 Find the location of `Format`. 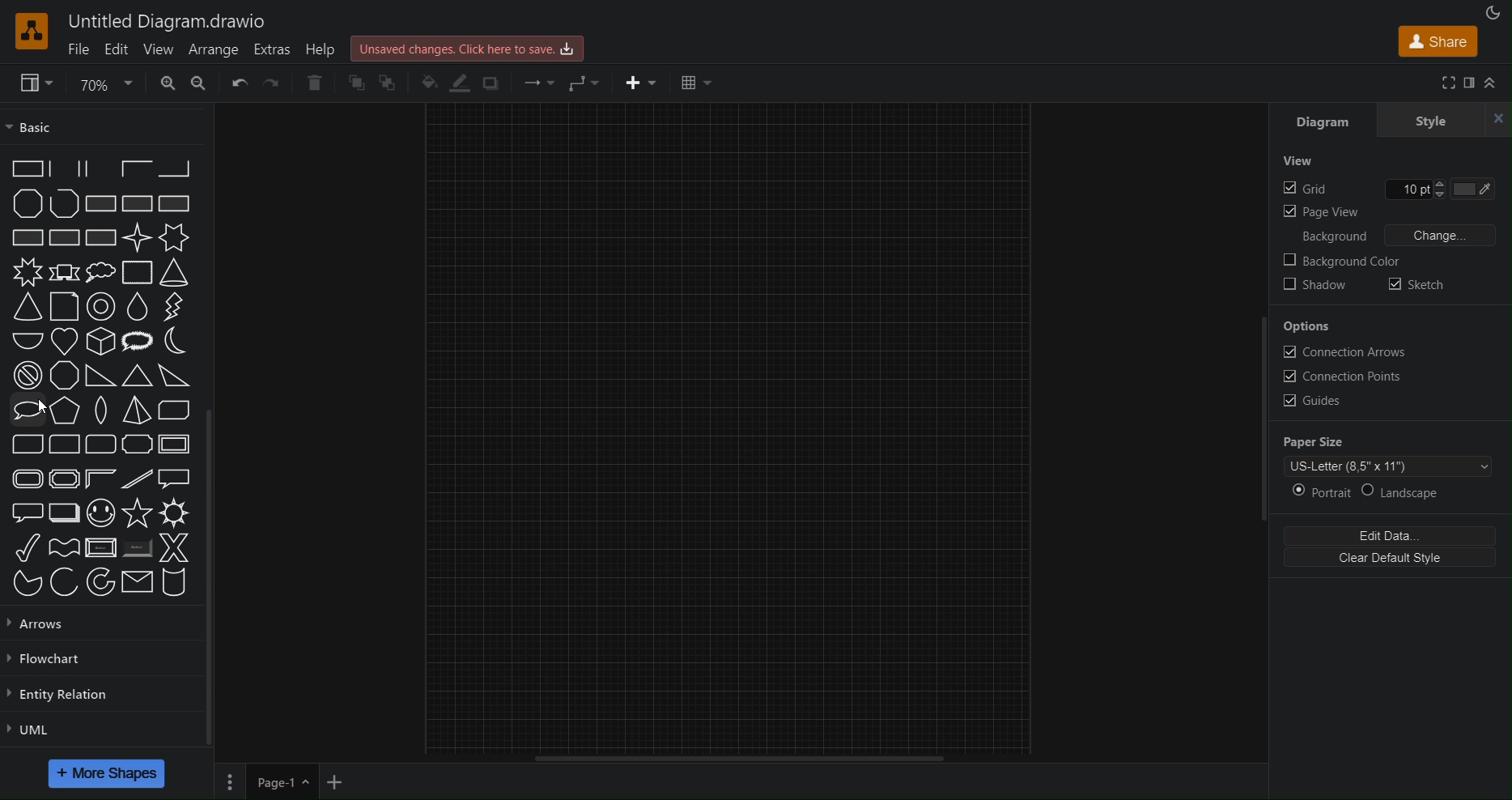

Format is located at coordinates (1470, 83).